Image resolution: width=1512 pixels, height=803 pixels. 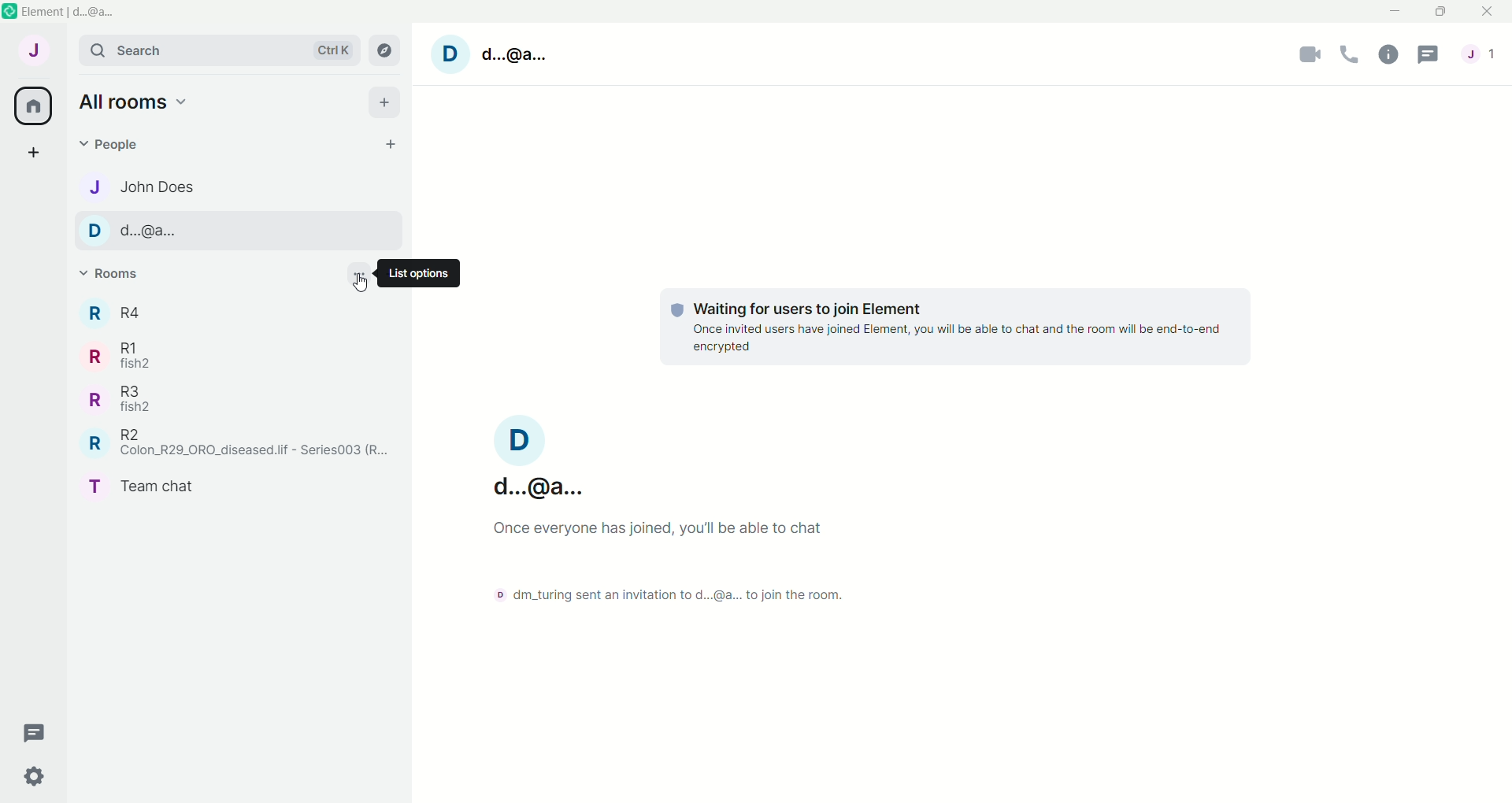 I want to click on Minimize, so click(x=1395, y=11).